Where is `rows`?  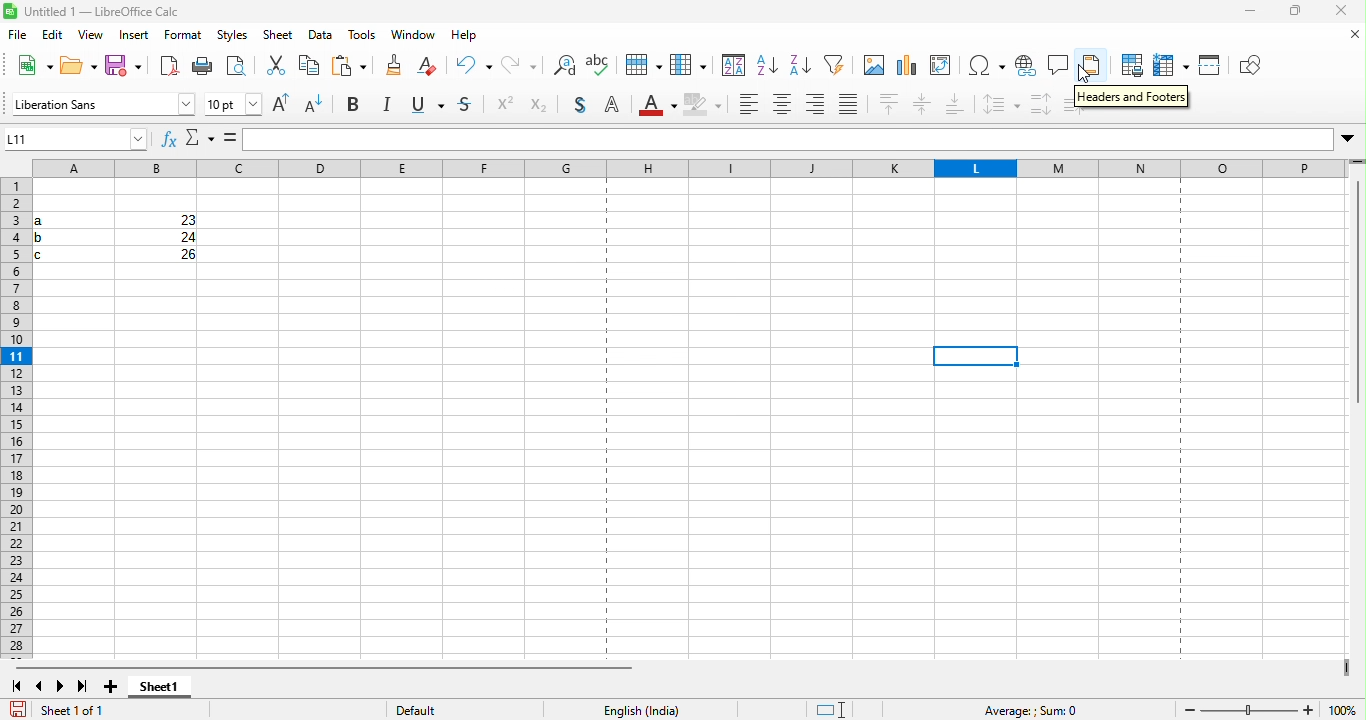 rows is located at coordinates (15, 419).